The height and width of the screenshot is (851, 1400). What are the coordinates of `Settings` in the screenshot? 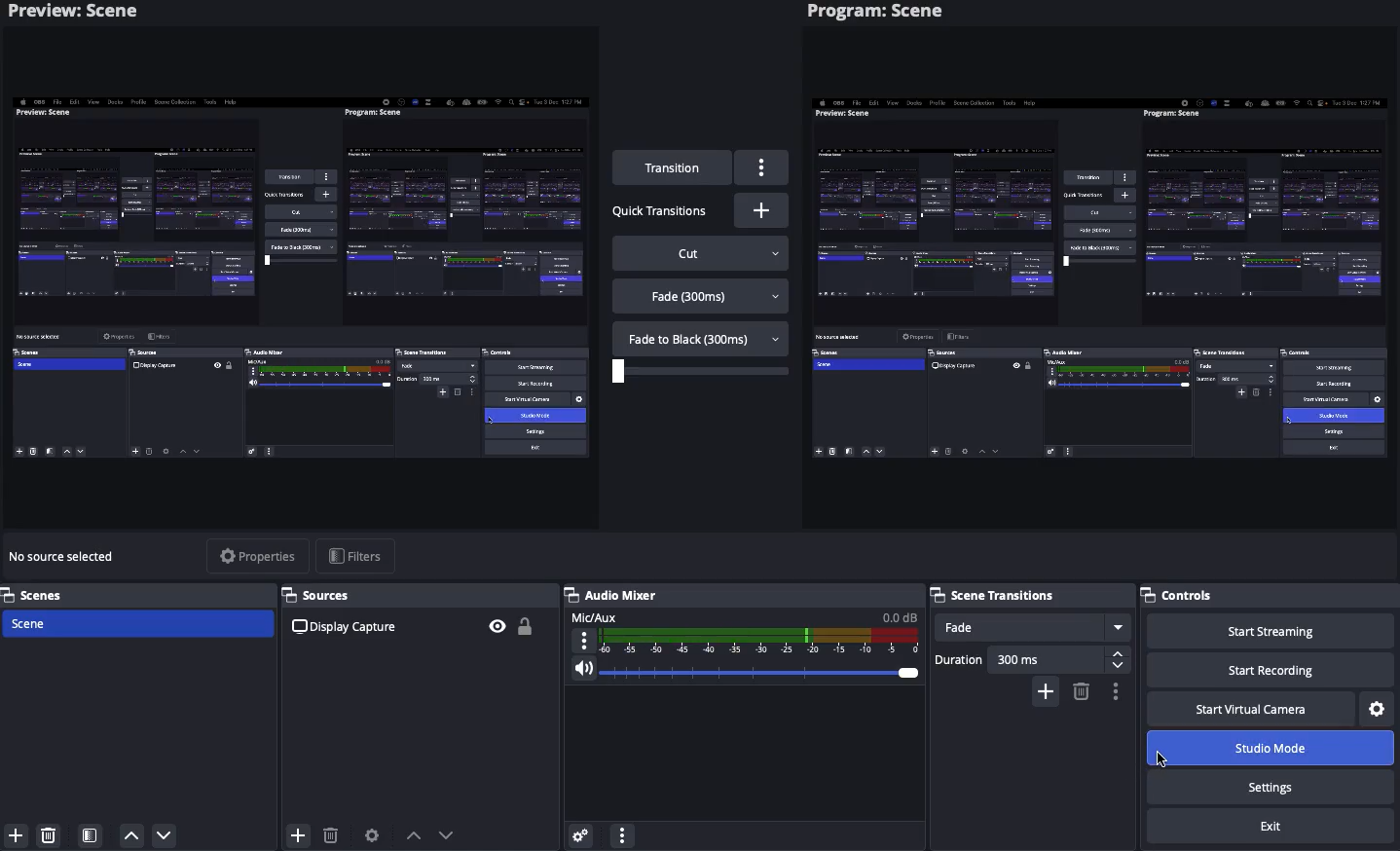 It's located at (1379, 707).